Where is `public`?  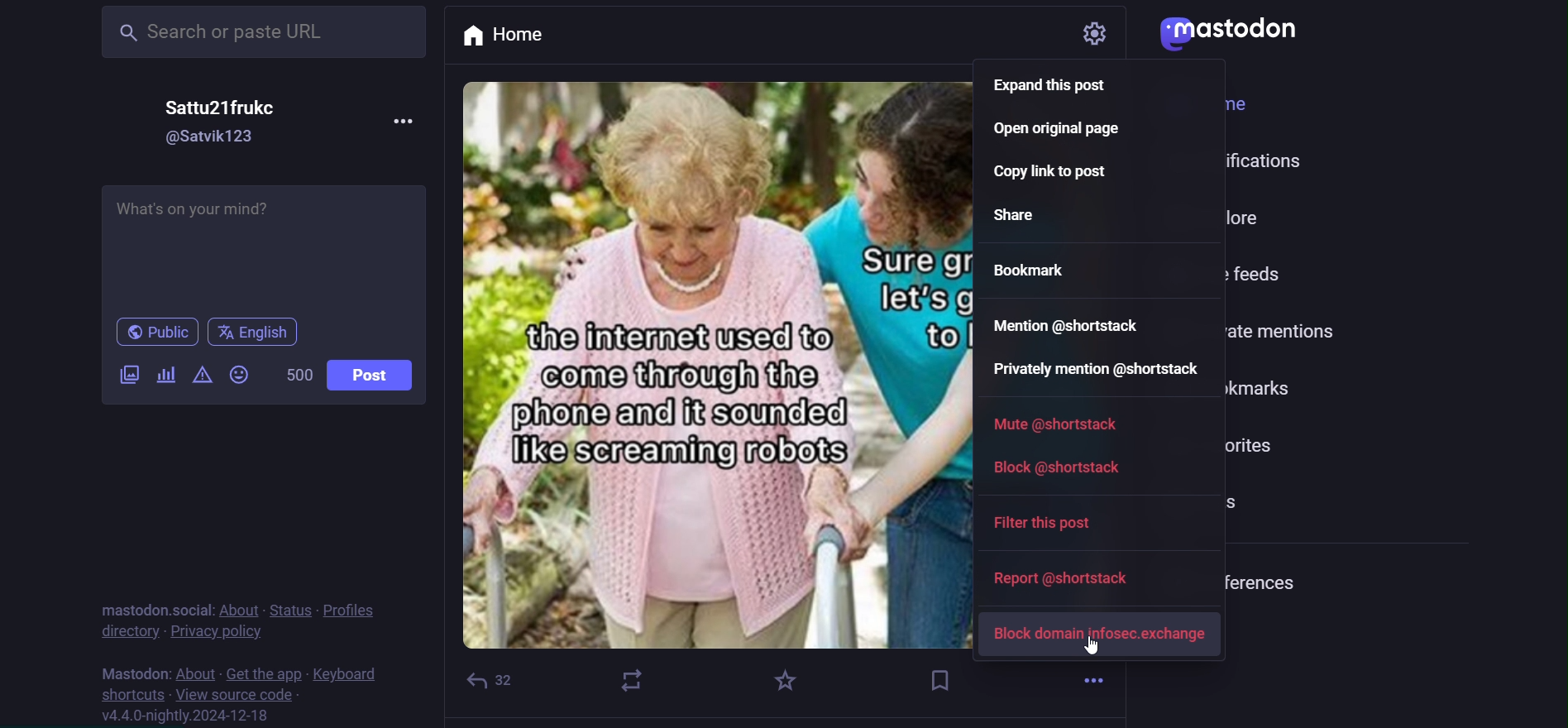 public is located at coordinates (158, 333).